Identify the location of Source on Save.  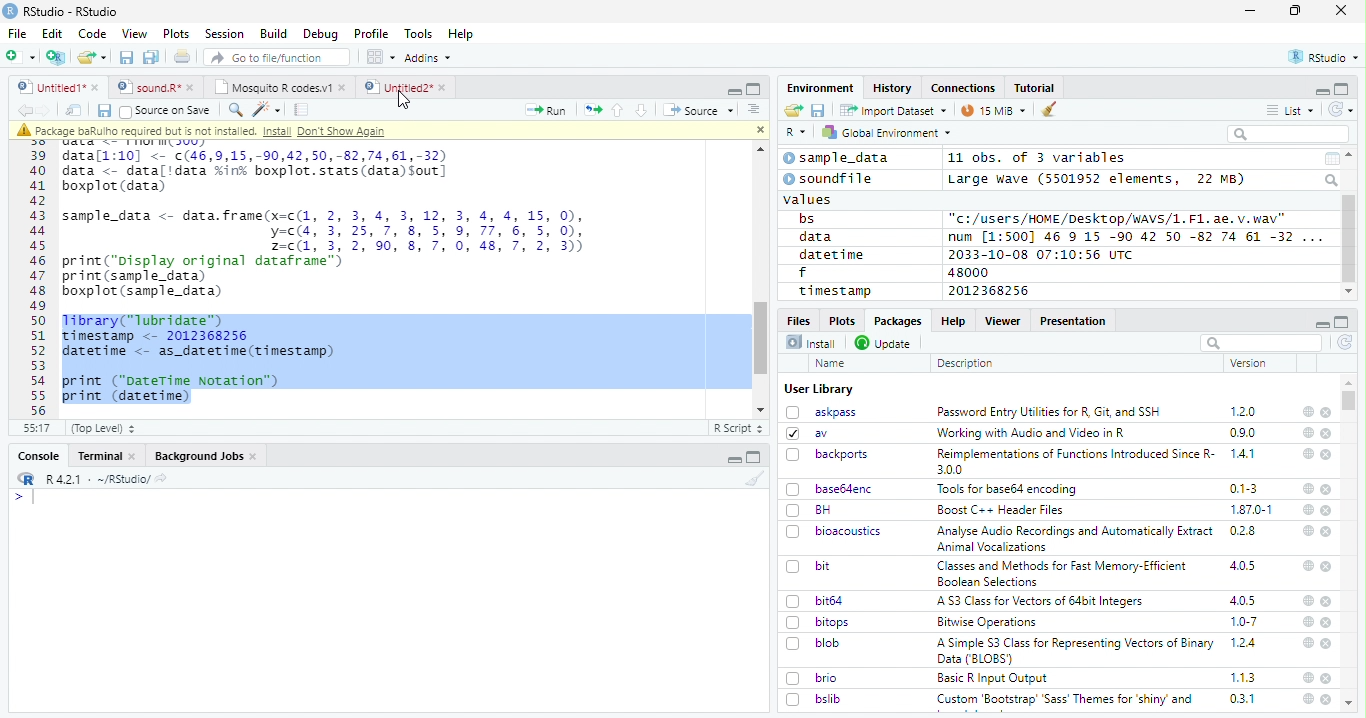
(164, 110).